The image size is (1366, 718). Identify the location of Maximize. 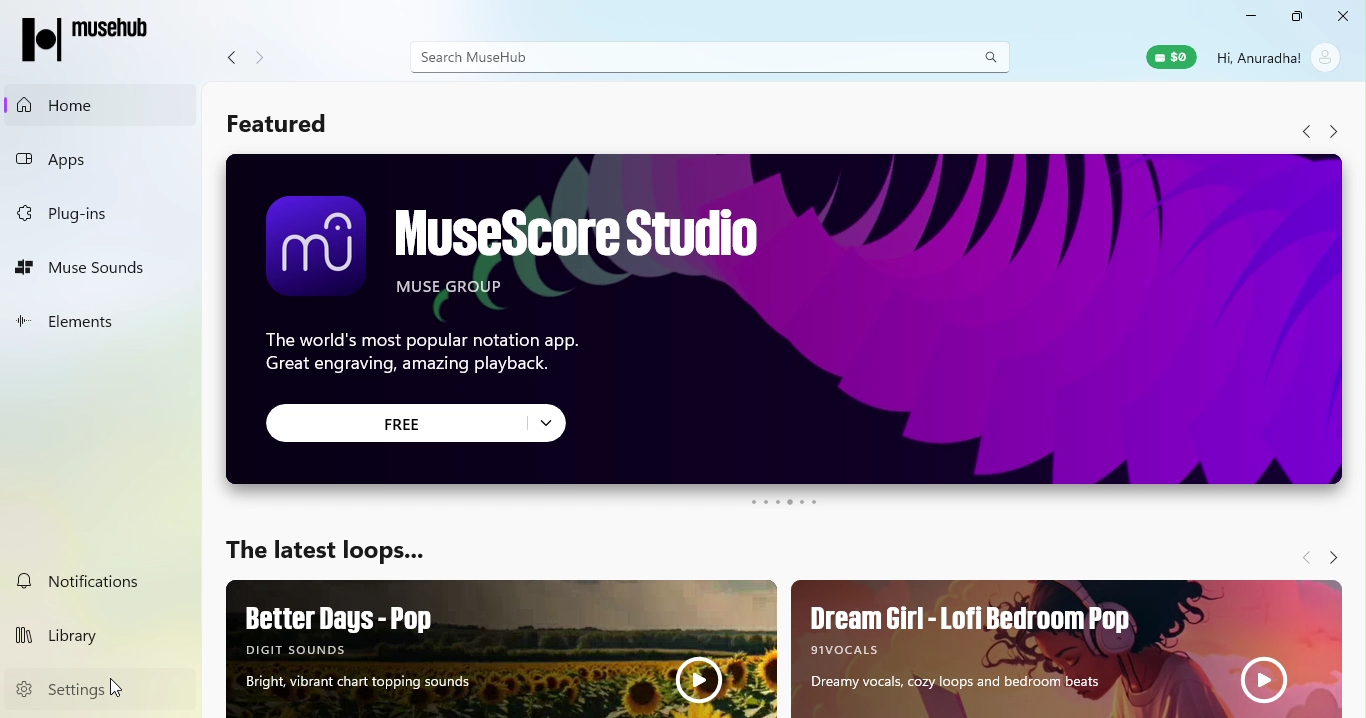
(1295, 18).